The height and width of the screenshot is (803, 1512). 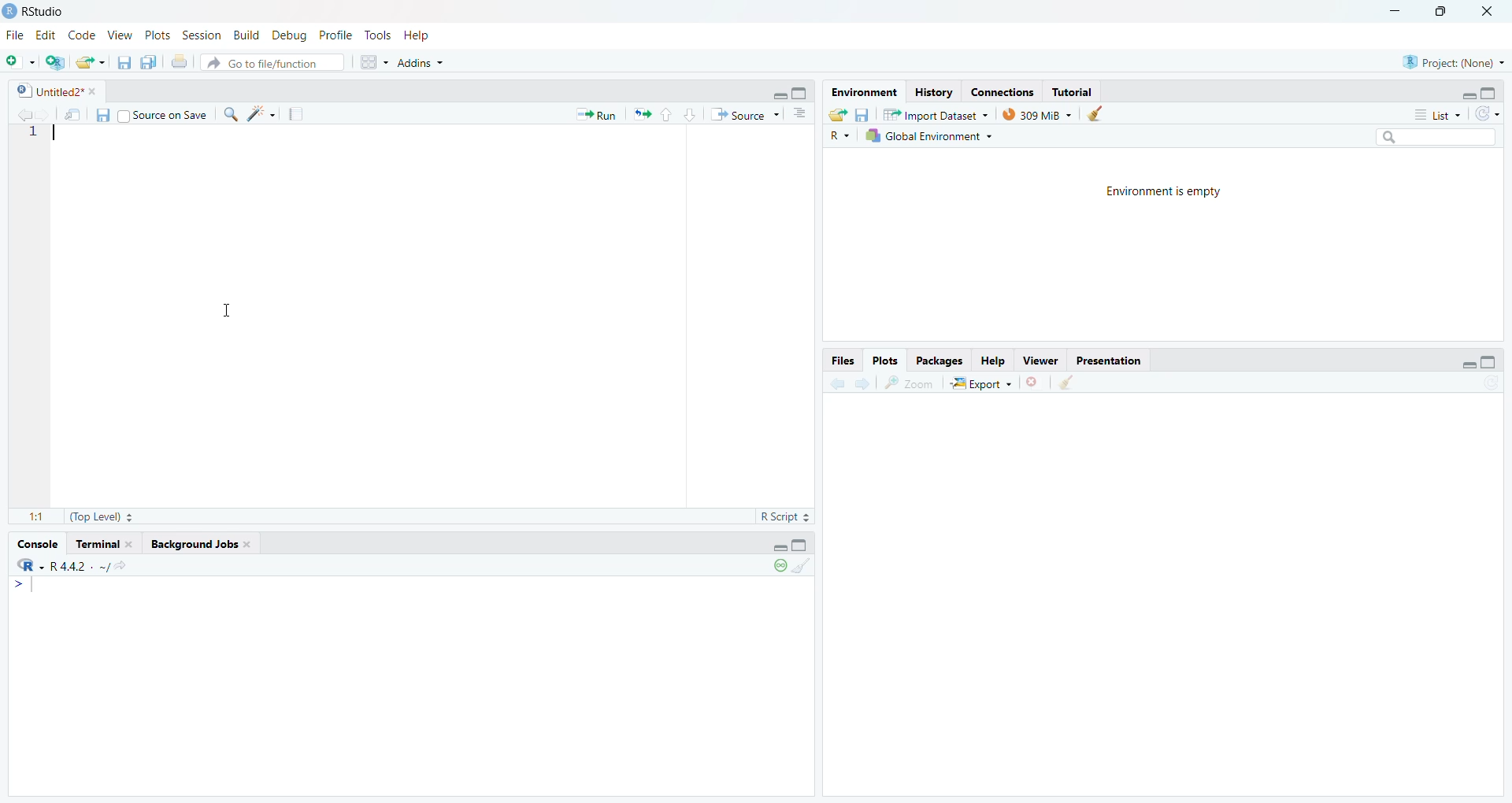 I want to click on Environment is empty, so click(x=1162, y=193).